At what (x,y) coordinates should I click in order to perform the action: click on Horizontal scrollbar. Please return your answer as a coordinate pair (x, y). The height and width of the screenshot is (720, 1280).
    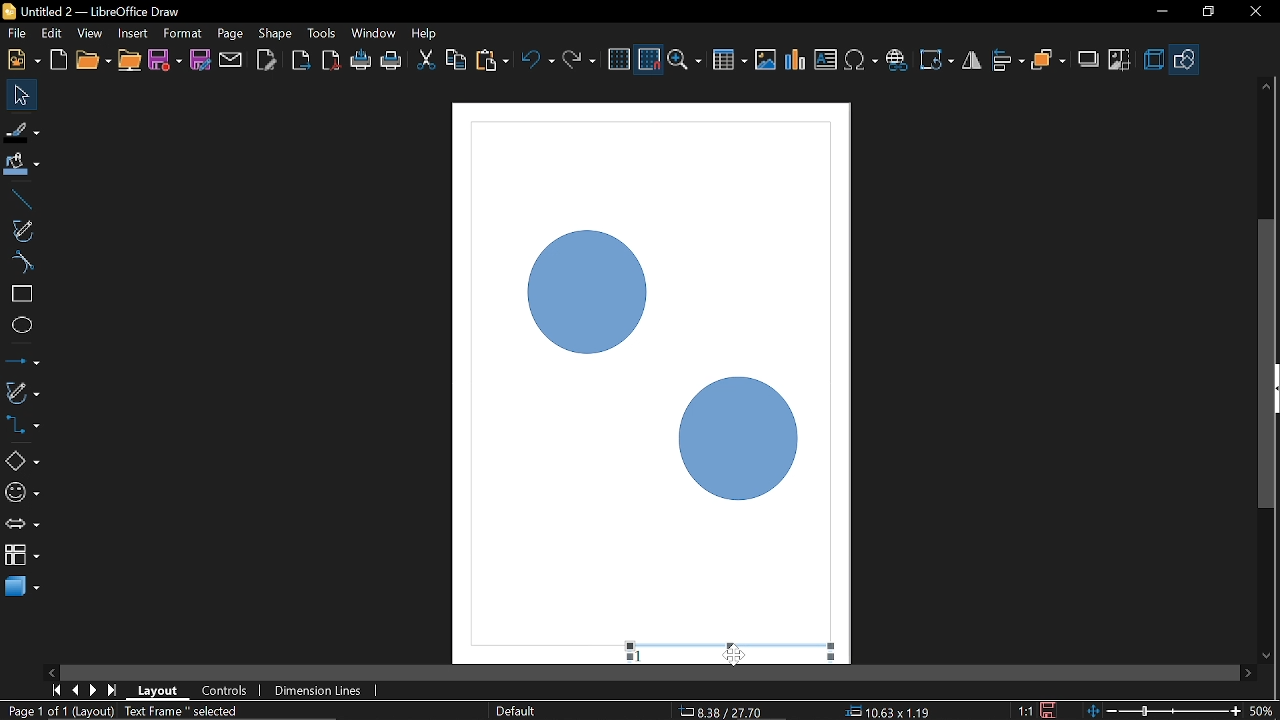
    Looking at the image, I should click on (650, 673).